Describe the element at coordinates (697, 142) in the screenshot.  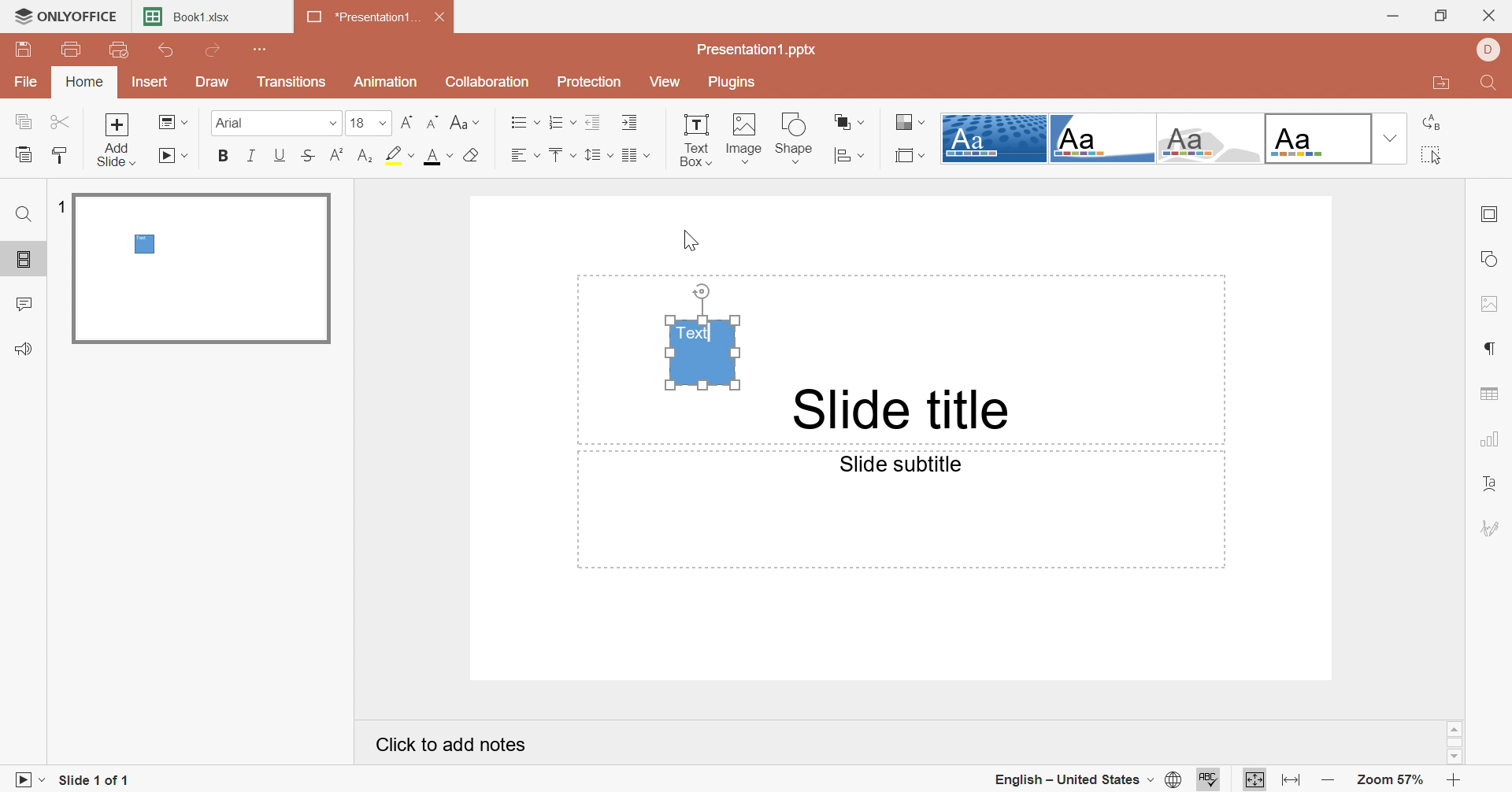
I see `Text Box` at that location.